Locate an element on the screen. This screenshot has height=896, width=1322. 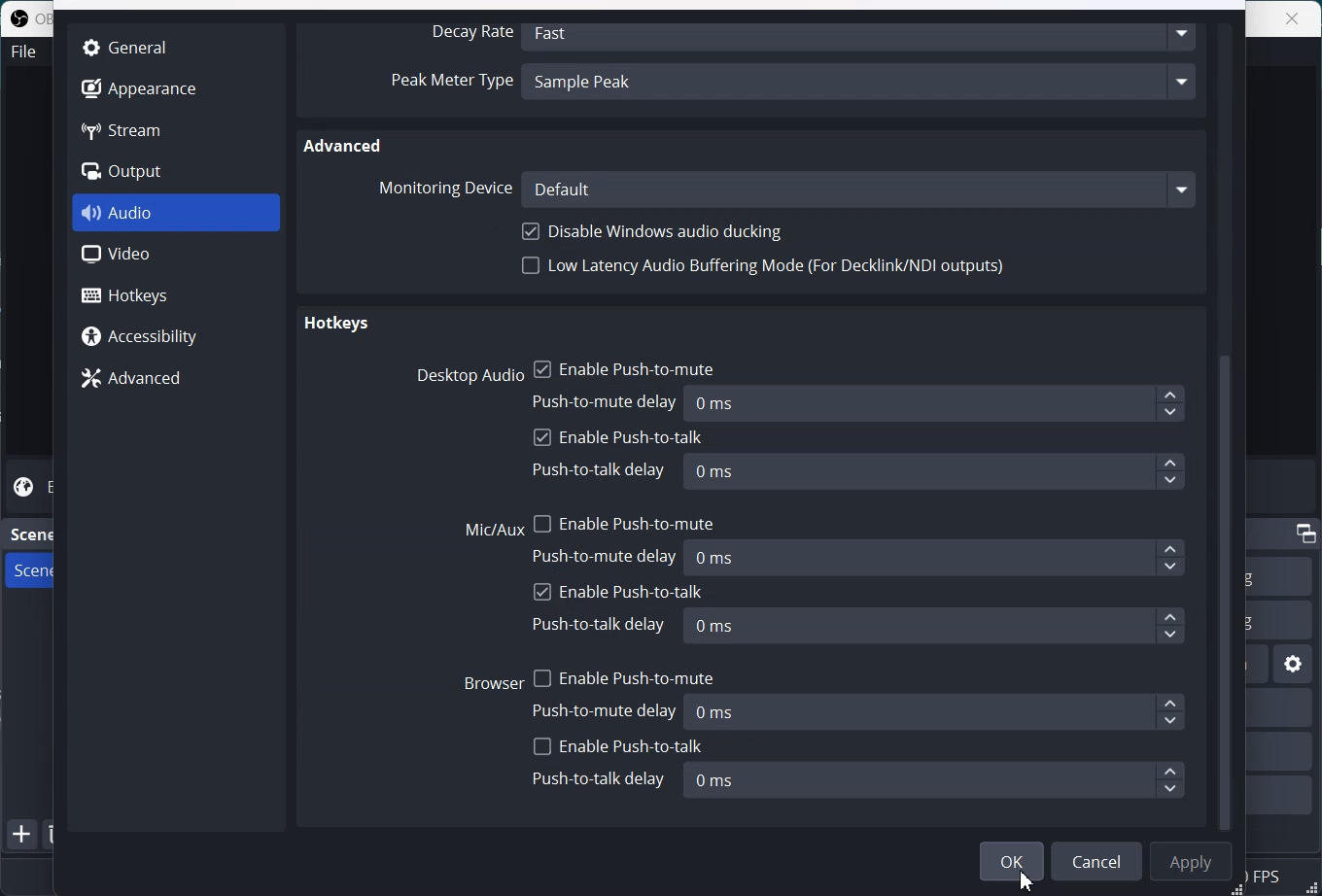
Audio is located at coordinates (177, 213).